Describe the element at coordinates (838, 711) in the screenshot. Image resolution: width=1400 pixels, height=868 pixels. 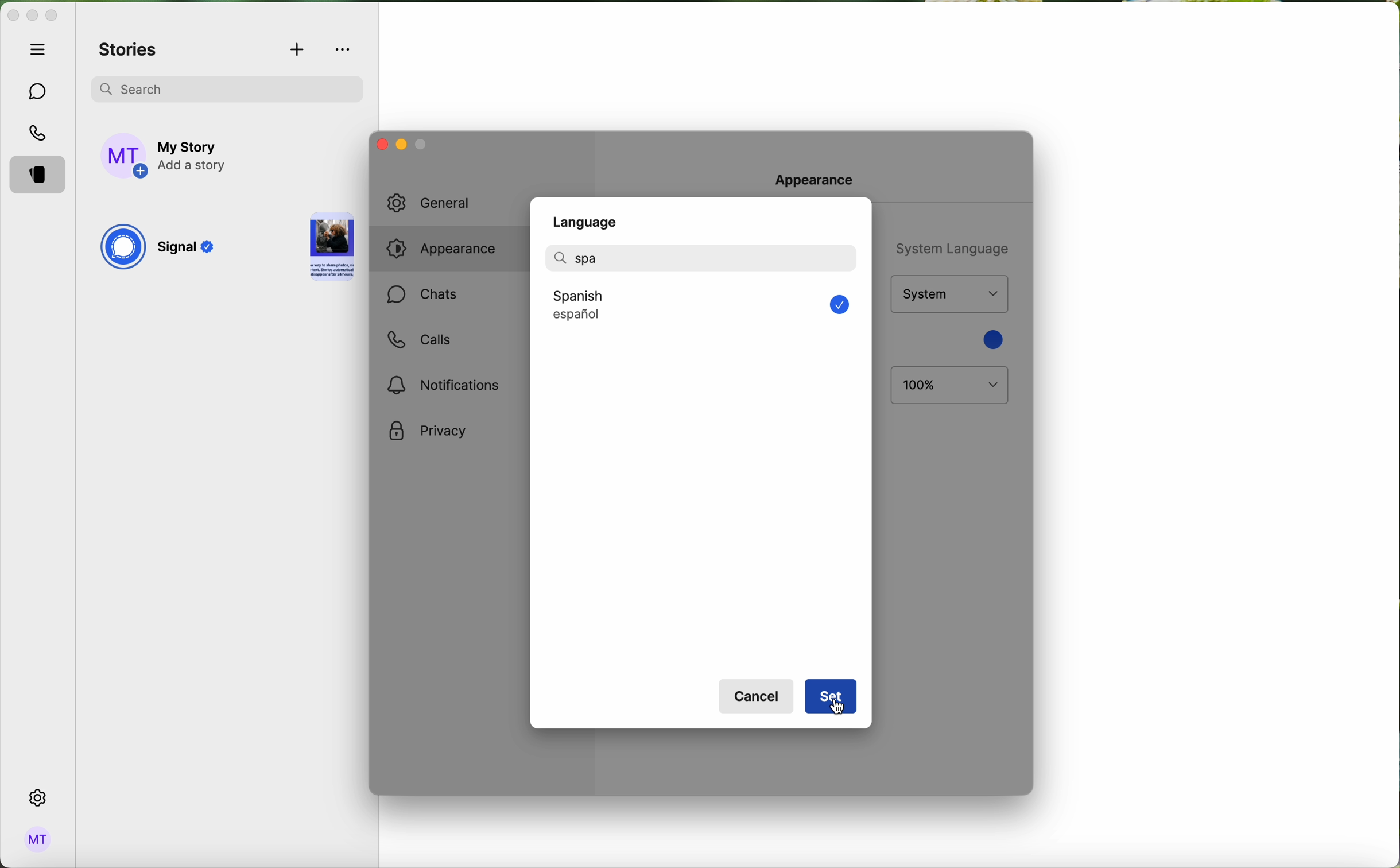
I see `cursor` at that location.